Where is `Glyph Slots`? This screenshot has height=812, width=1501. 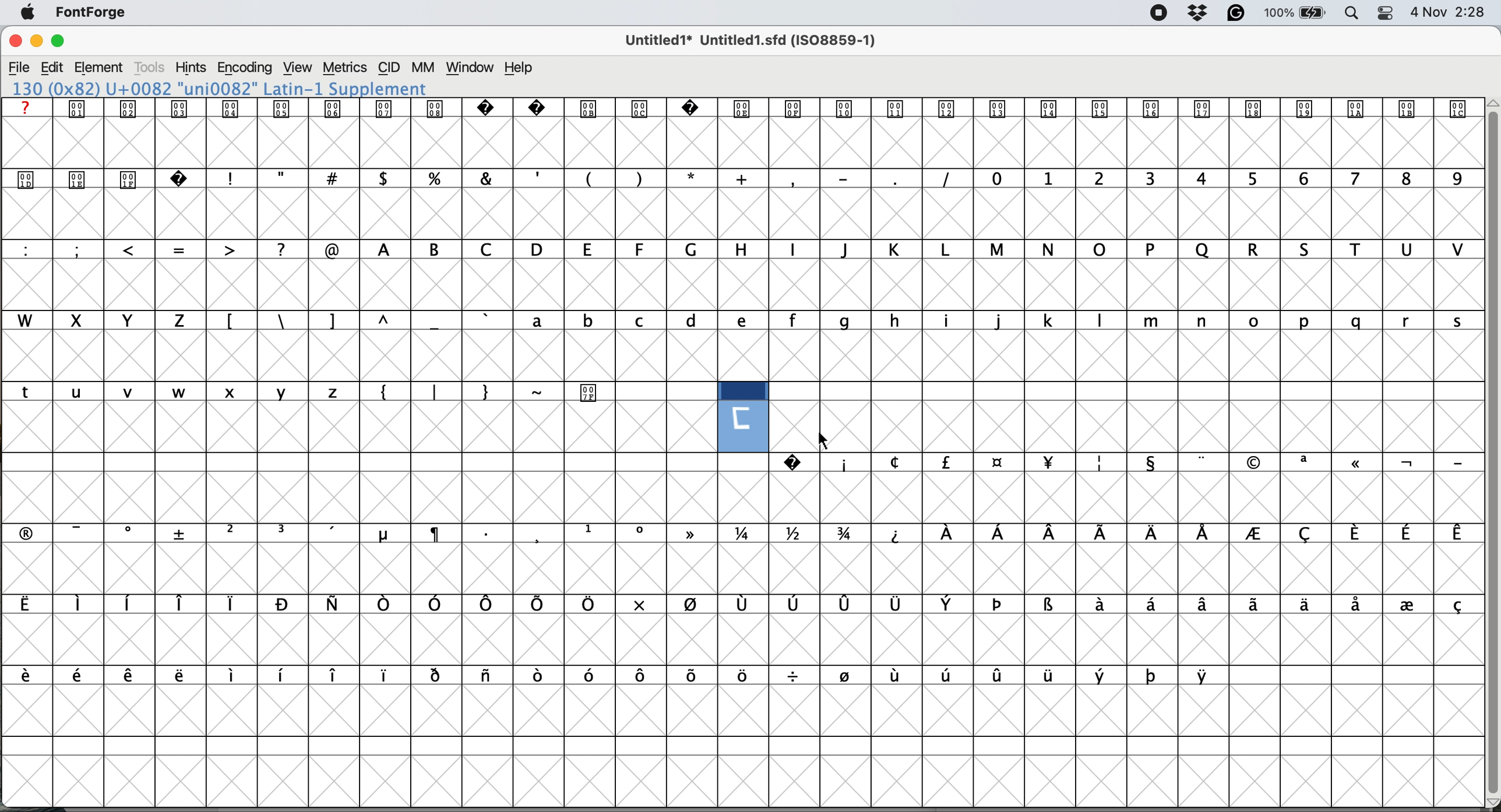
Glyph Slots is located at coordinates (740, 319).